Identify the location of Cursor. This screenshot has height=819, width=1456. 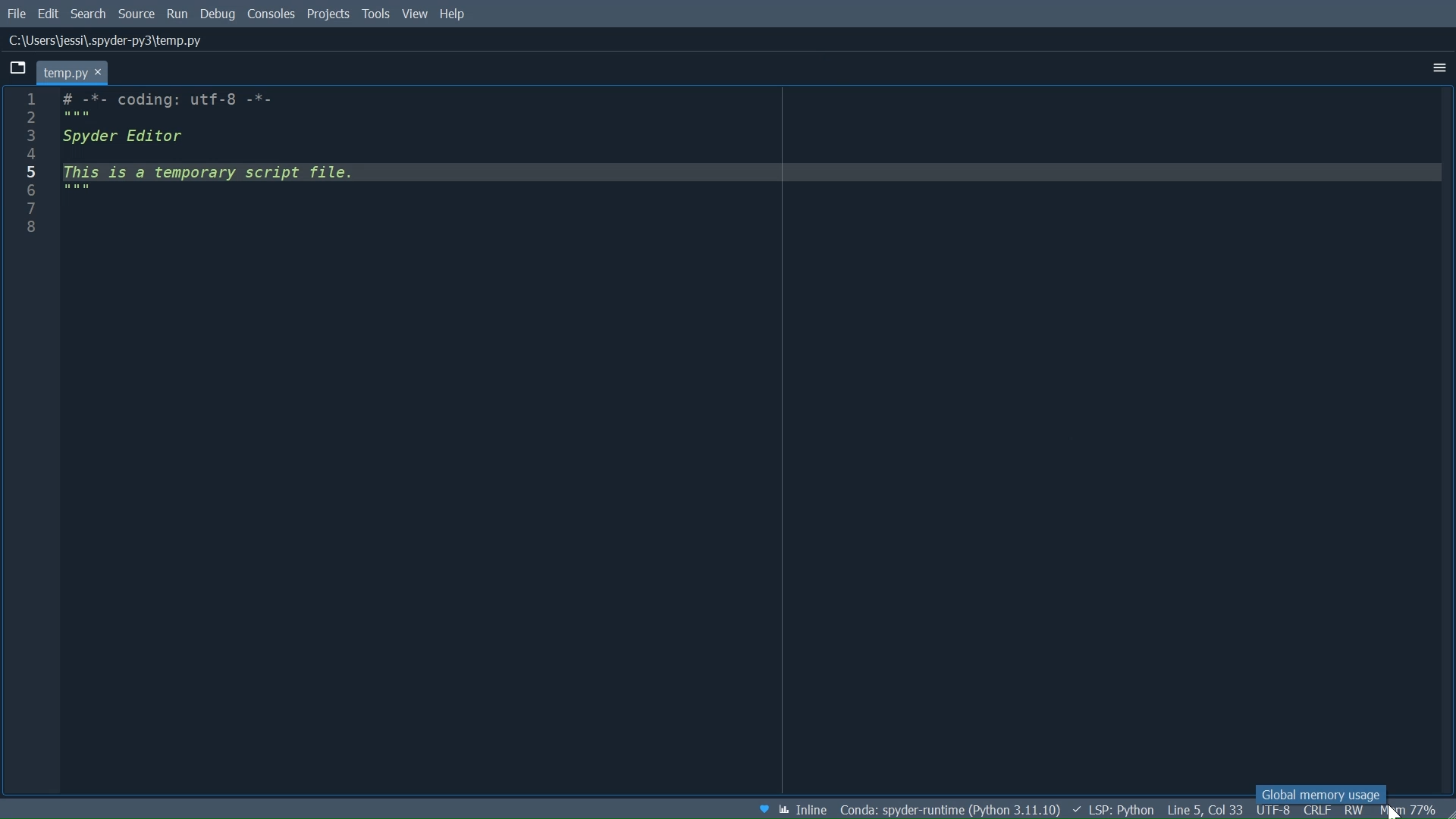
(1391, 812).